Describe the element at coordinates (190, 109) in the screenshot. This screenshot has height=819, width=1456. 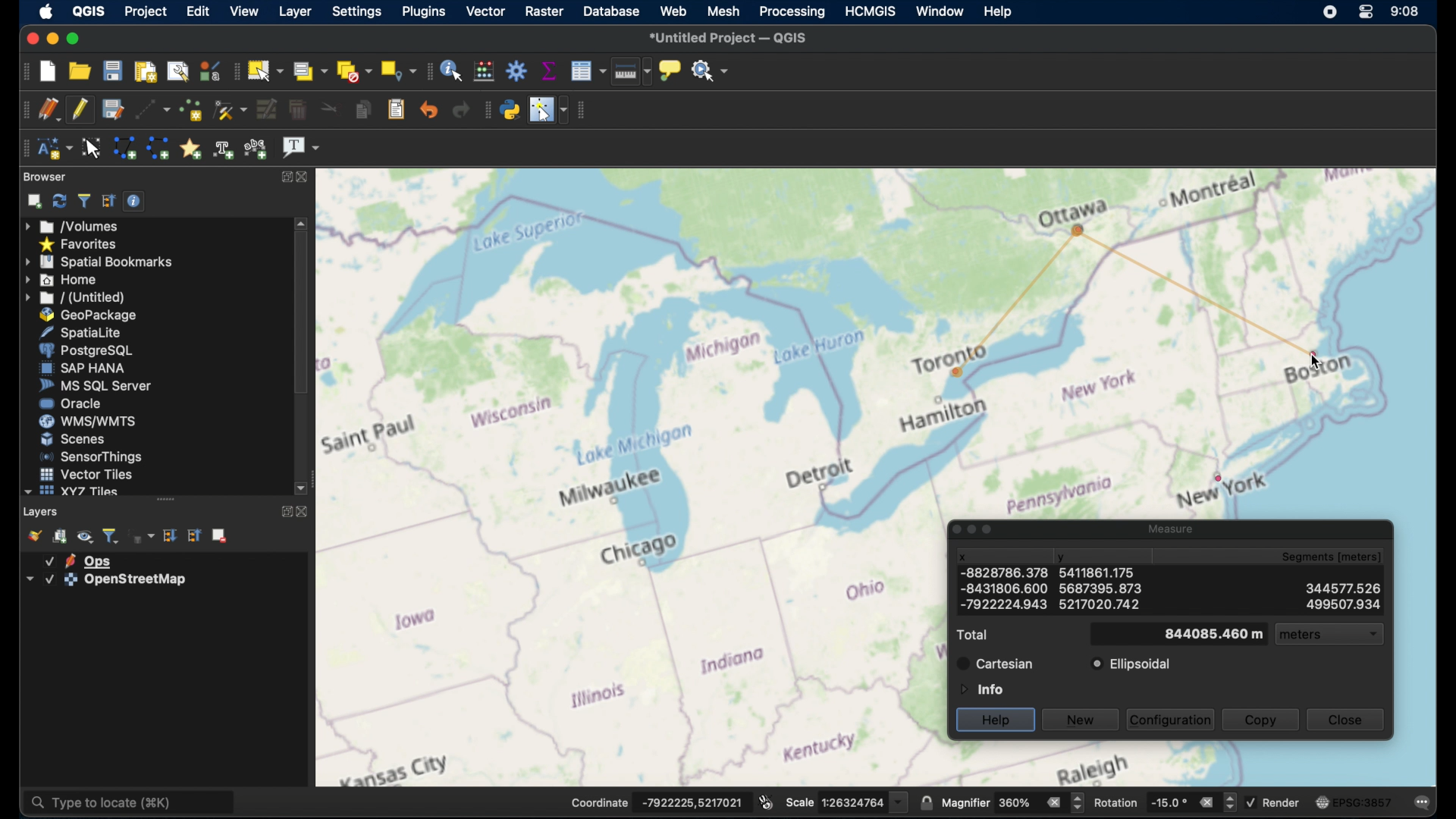
I see `add point features` at that location.